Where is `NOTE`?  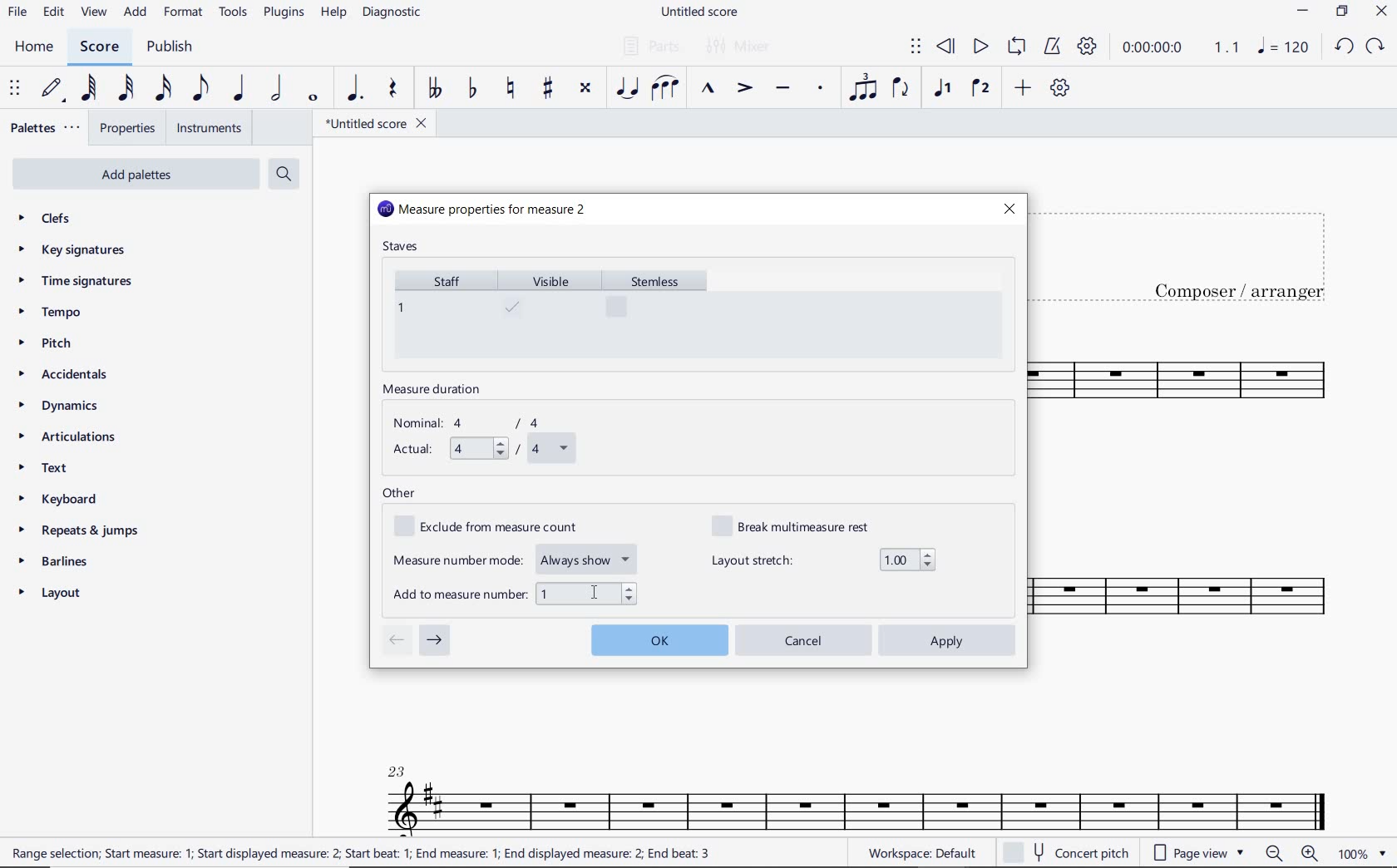
NOTE is located at coordinates (1282, 47).